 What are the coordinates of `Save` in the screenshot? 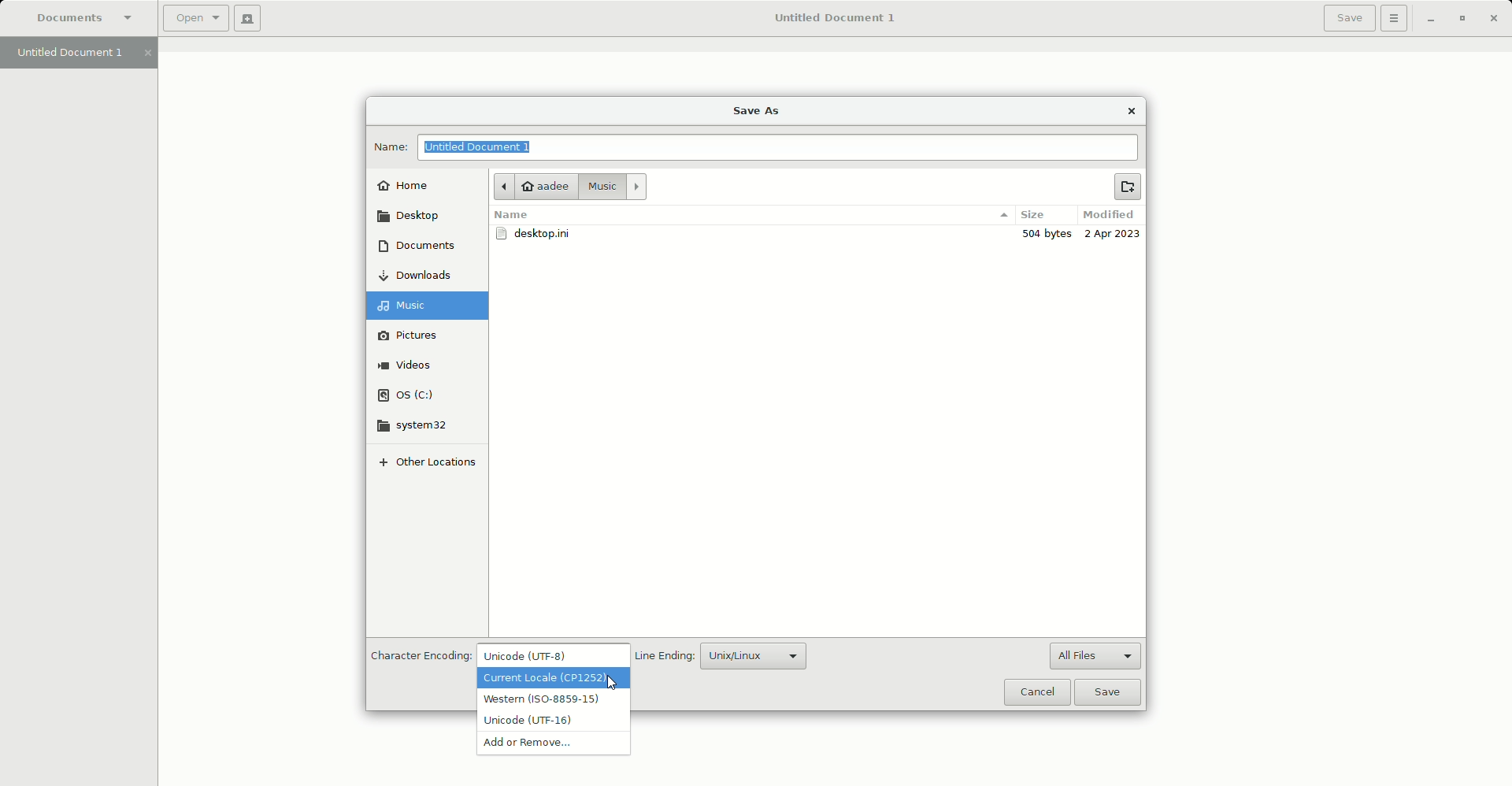 It's located at (1347, 19).